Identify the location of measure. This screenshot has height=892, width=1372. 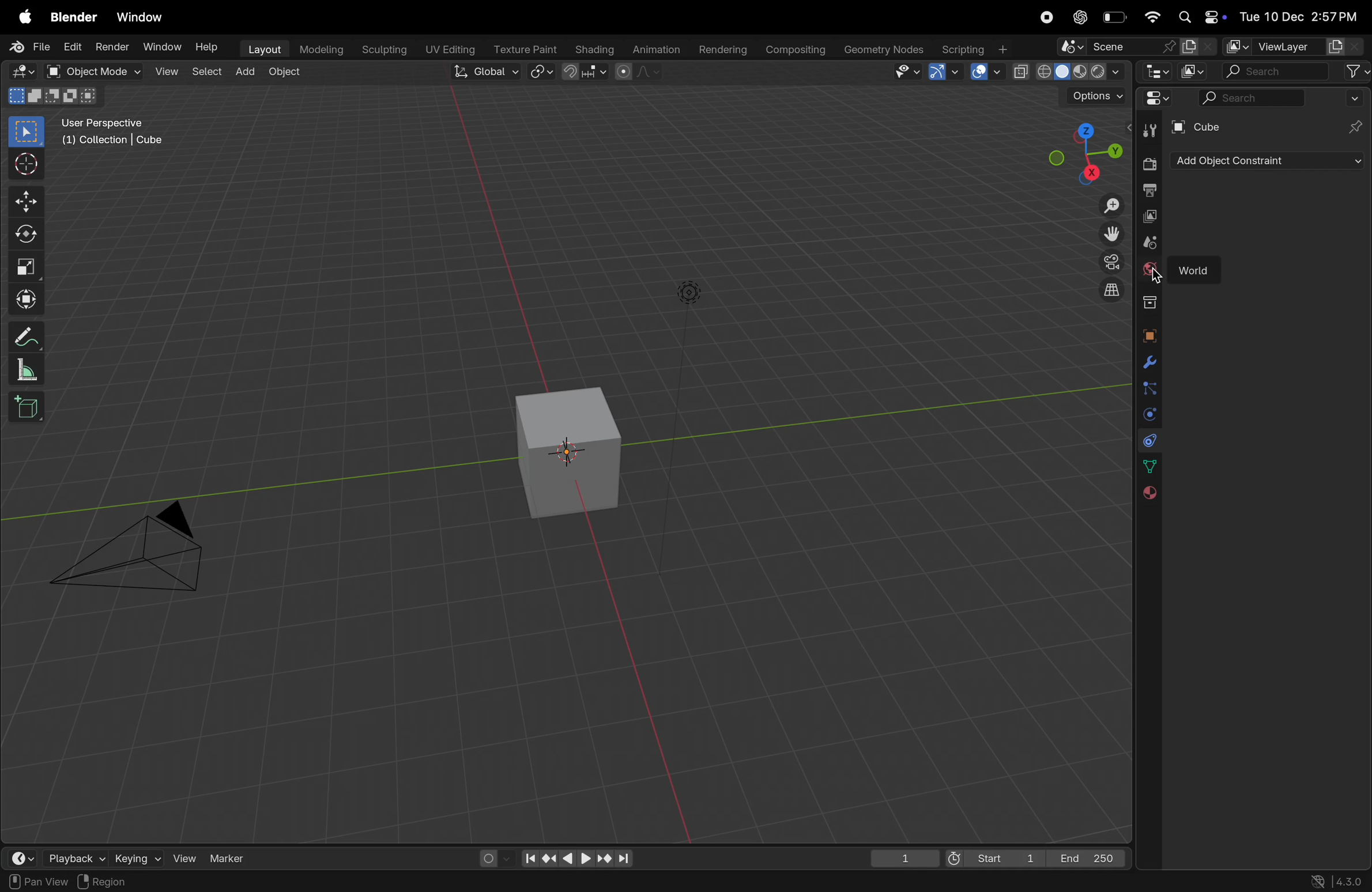
(27, 369).